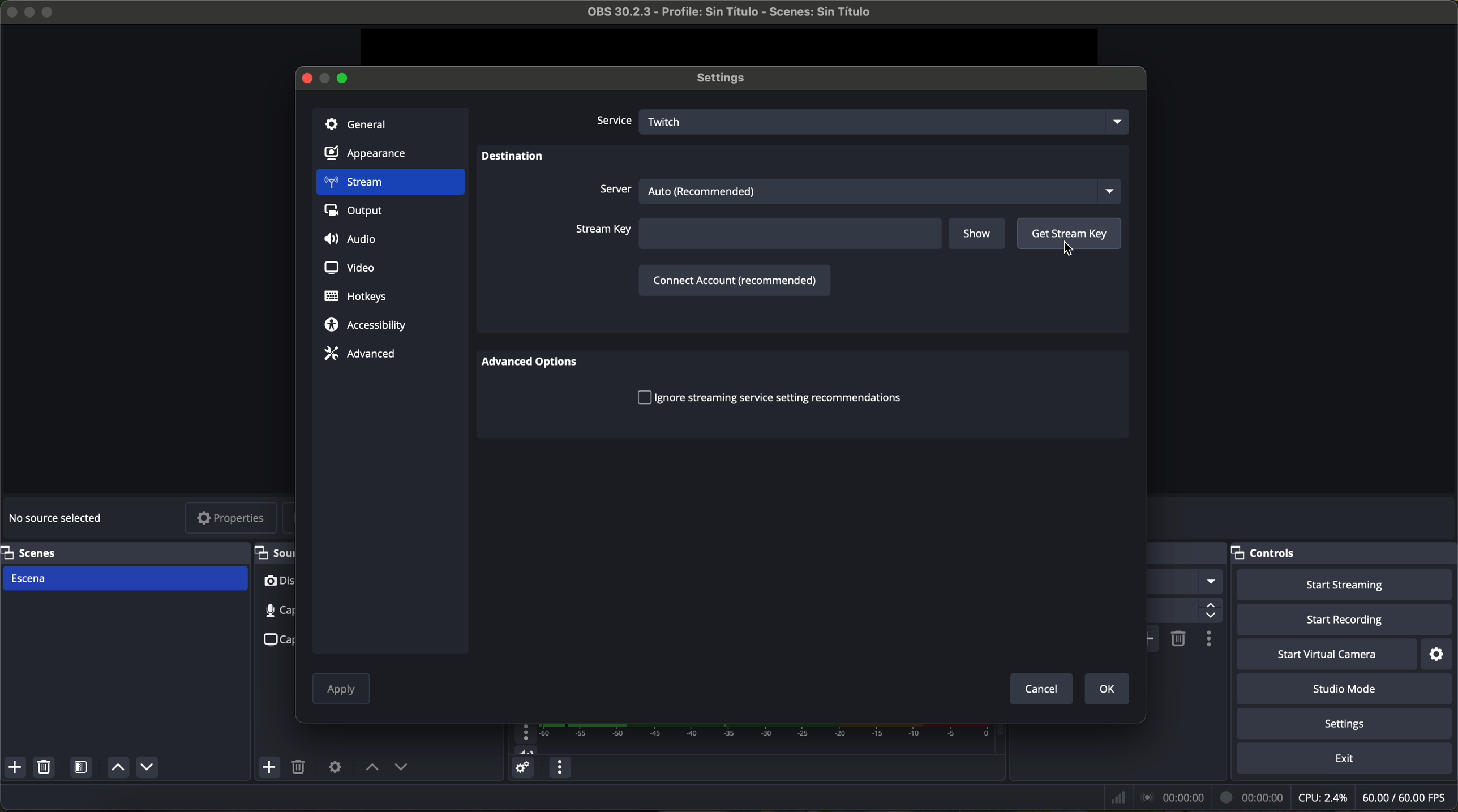  I want to click on service, so click(612, 122).